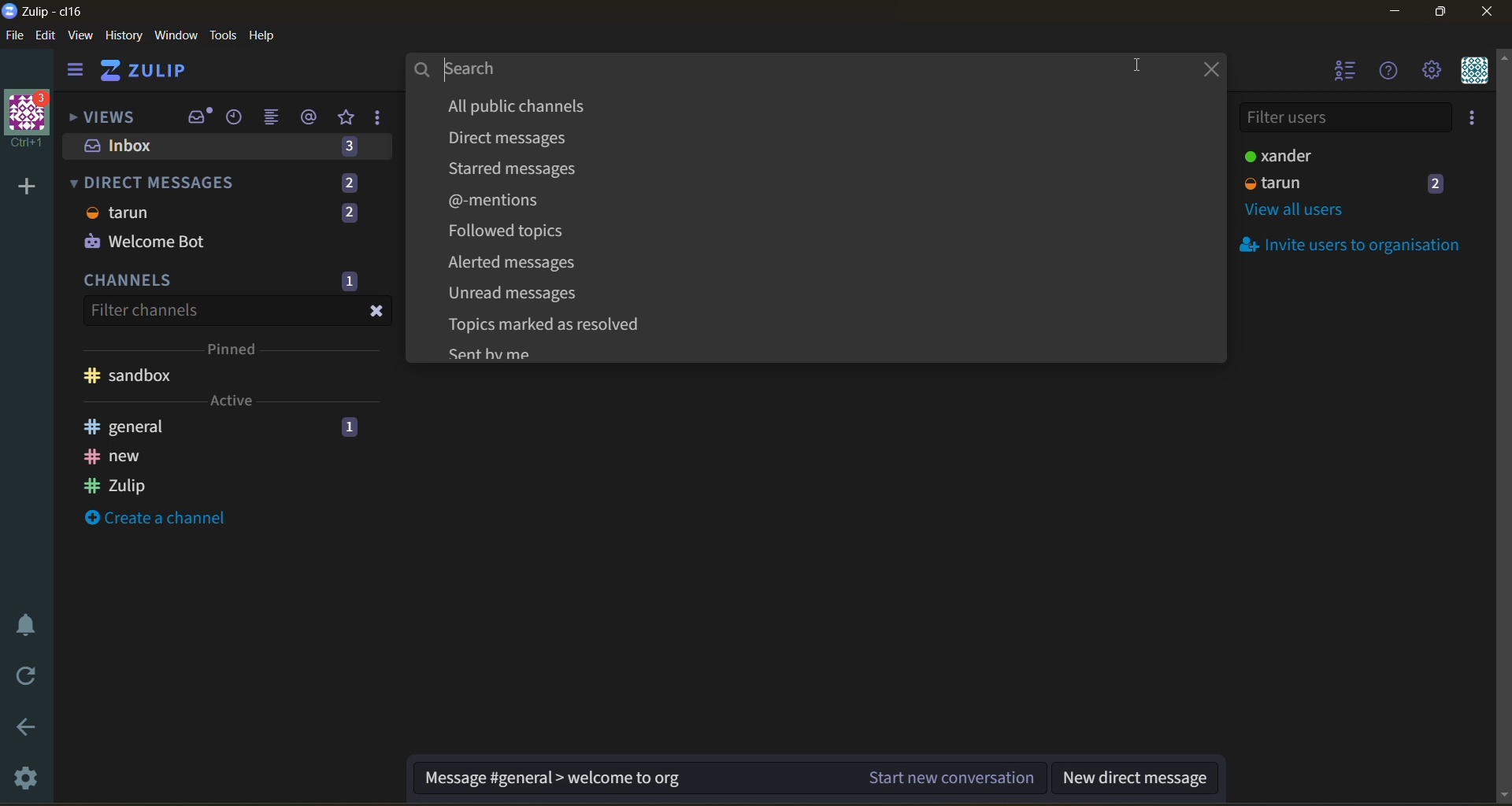 This screenshot has width=1512, height=806. What do you see at coordinates (109, 118) in the screenshot?
I see `views` at bounding box center [109, 118].